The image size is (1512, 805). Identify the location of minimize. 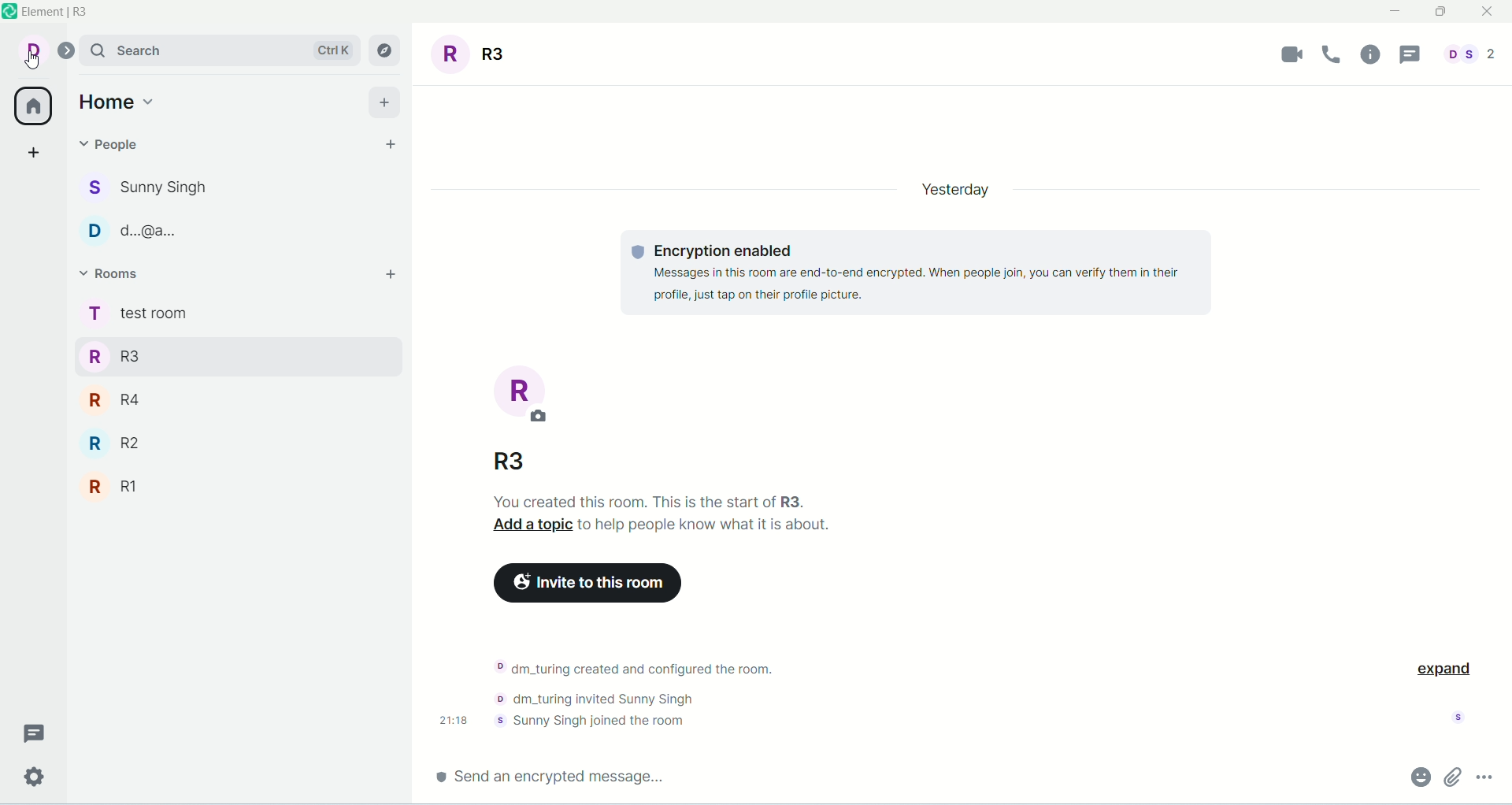
(1401, 12).